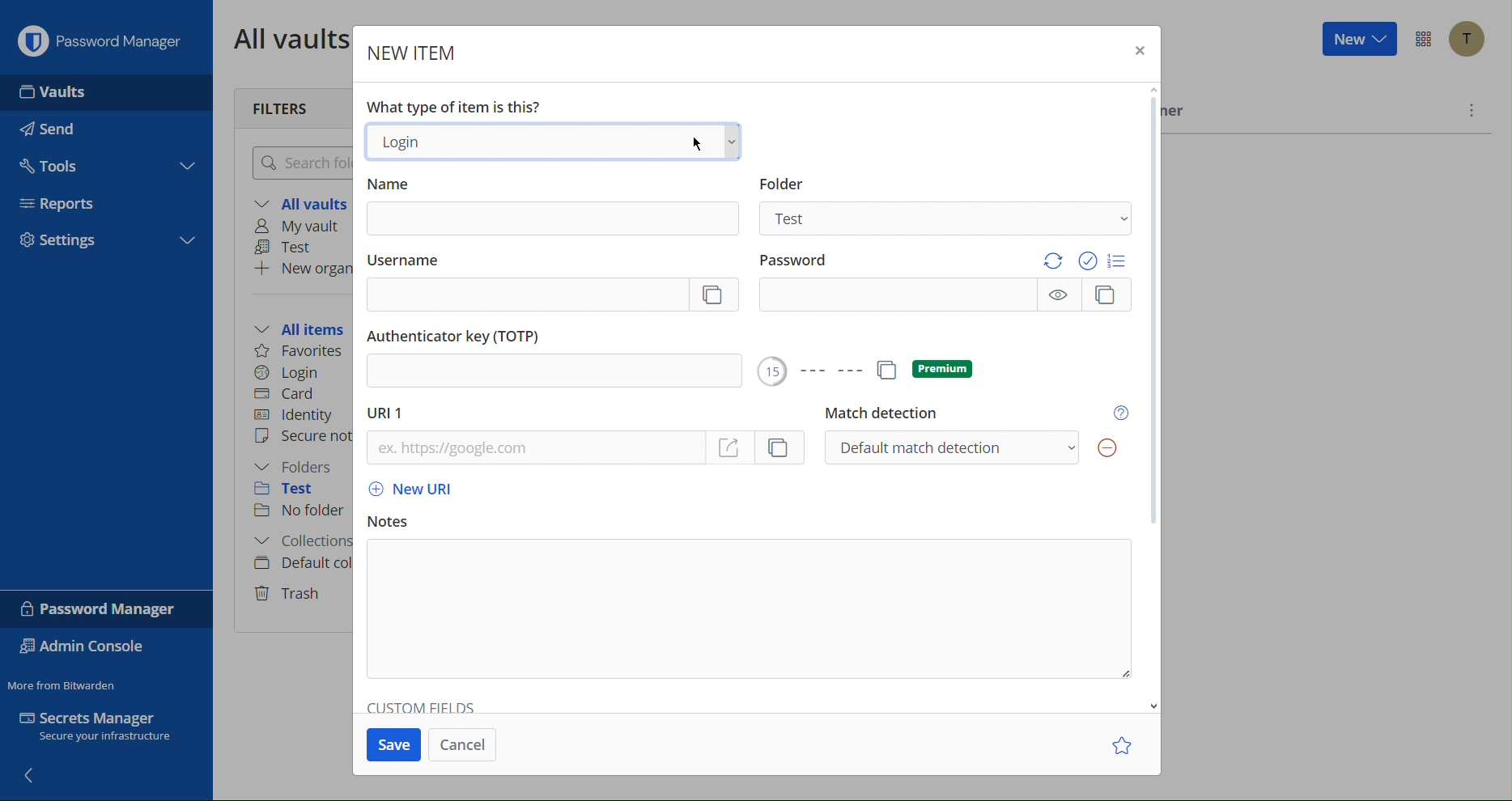  I want to click on Trash, so click(291, 595).